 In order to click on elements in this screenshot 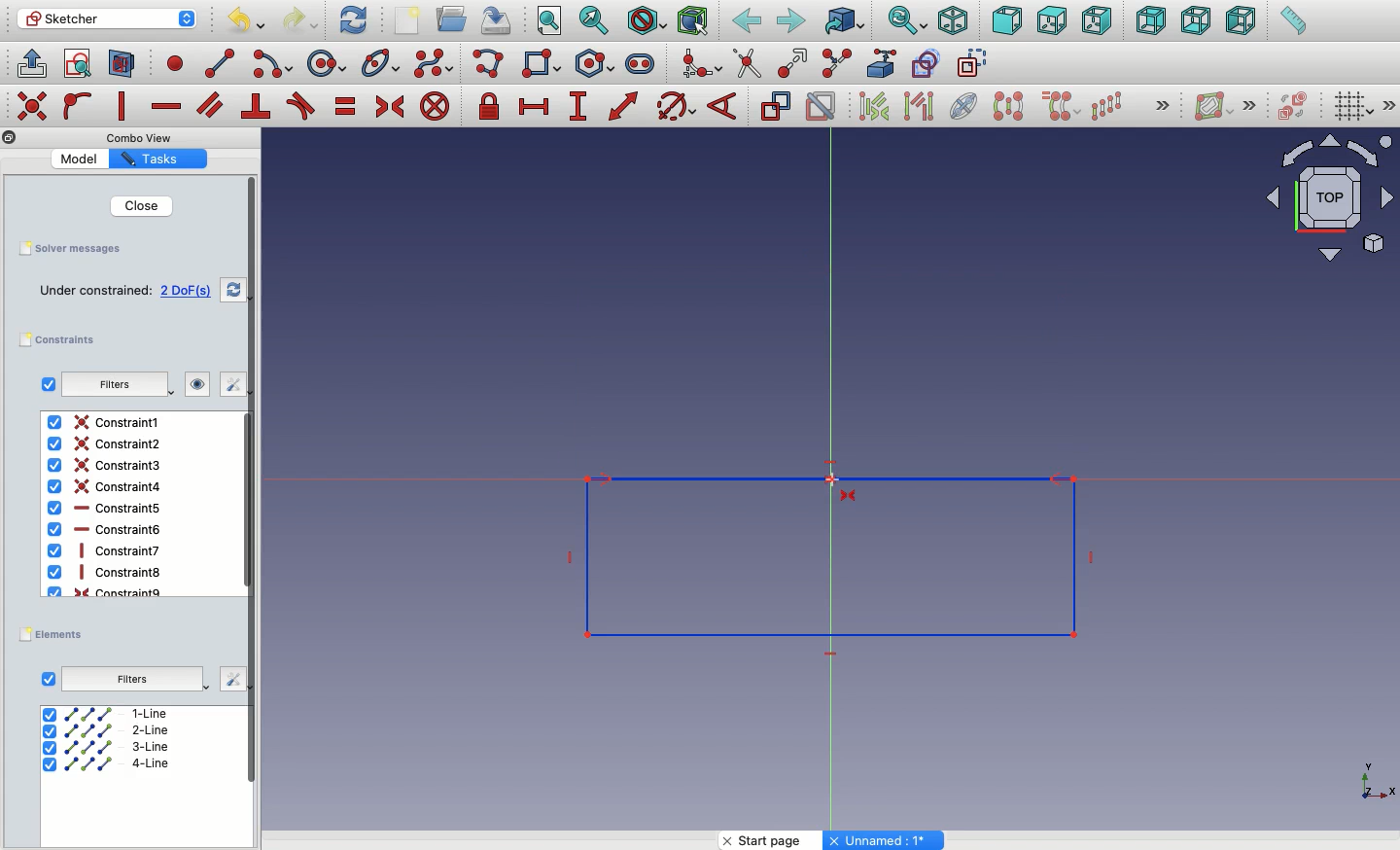, I will do `click(54, 635)`.